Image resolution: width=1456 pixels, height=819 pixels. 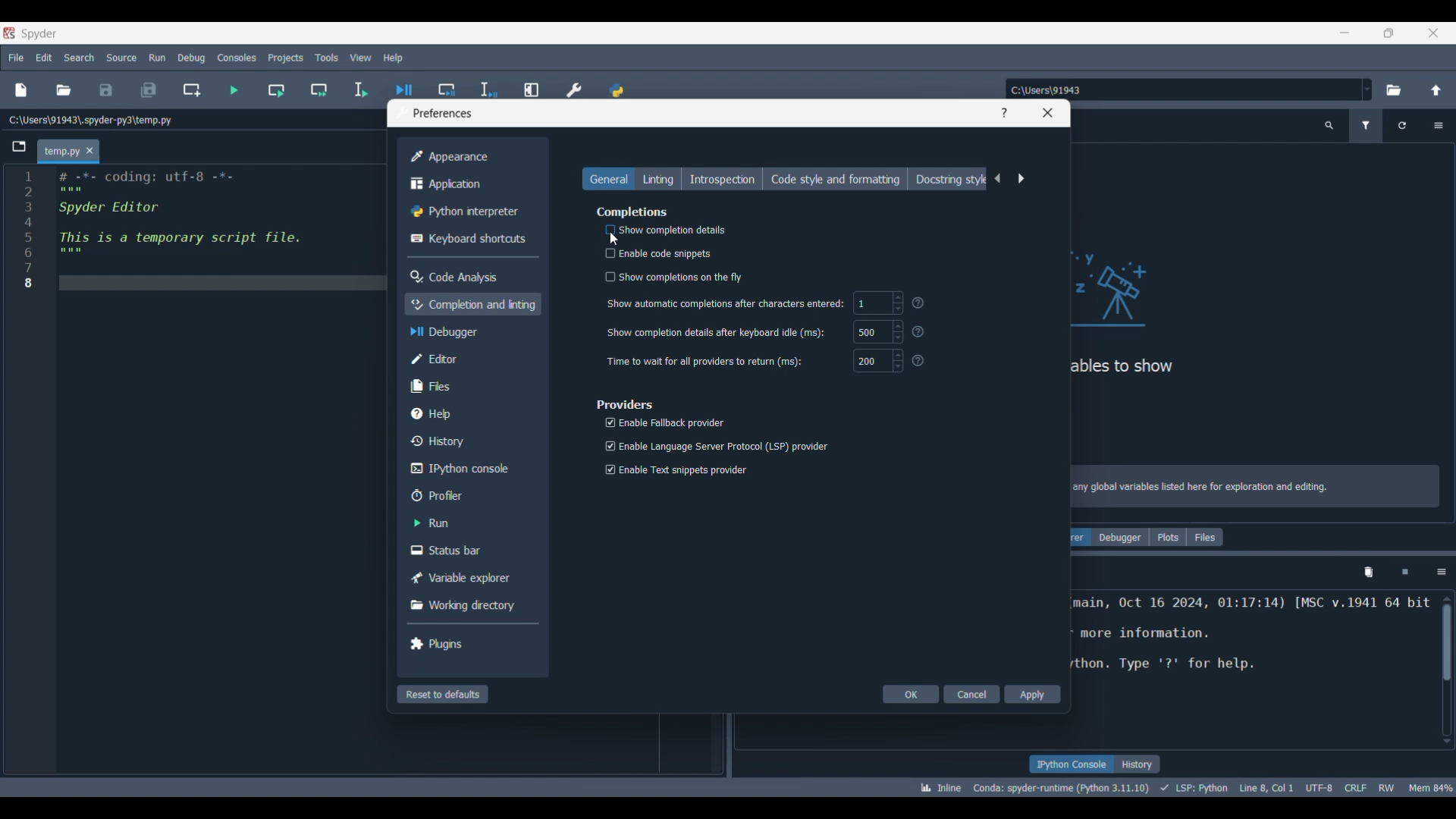 What do you see at coordinates (716, 333) in the screenshot?
I see `Show completion details after keyboard idle (ms):` at bounding box center [716, 333].